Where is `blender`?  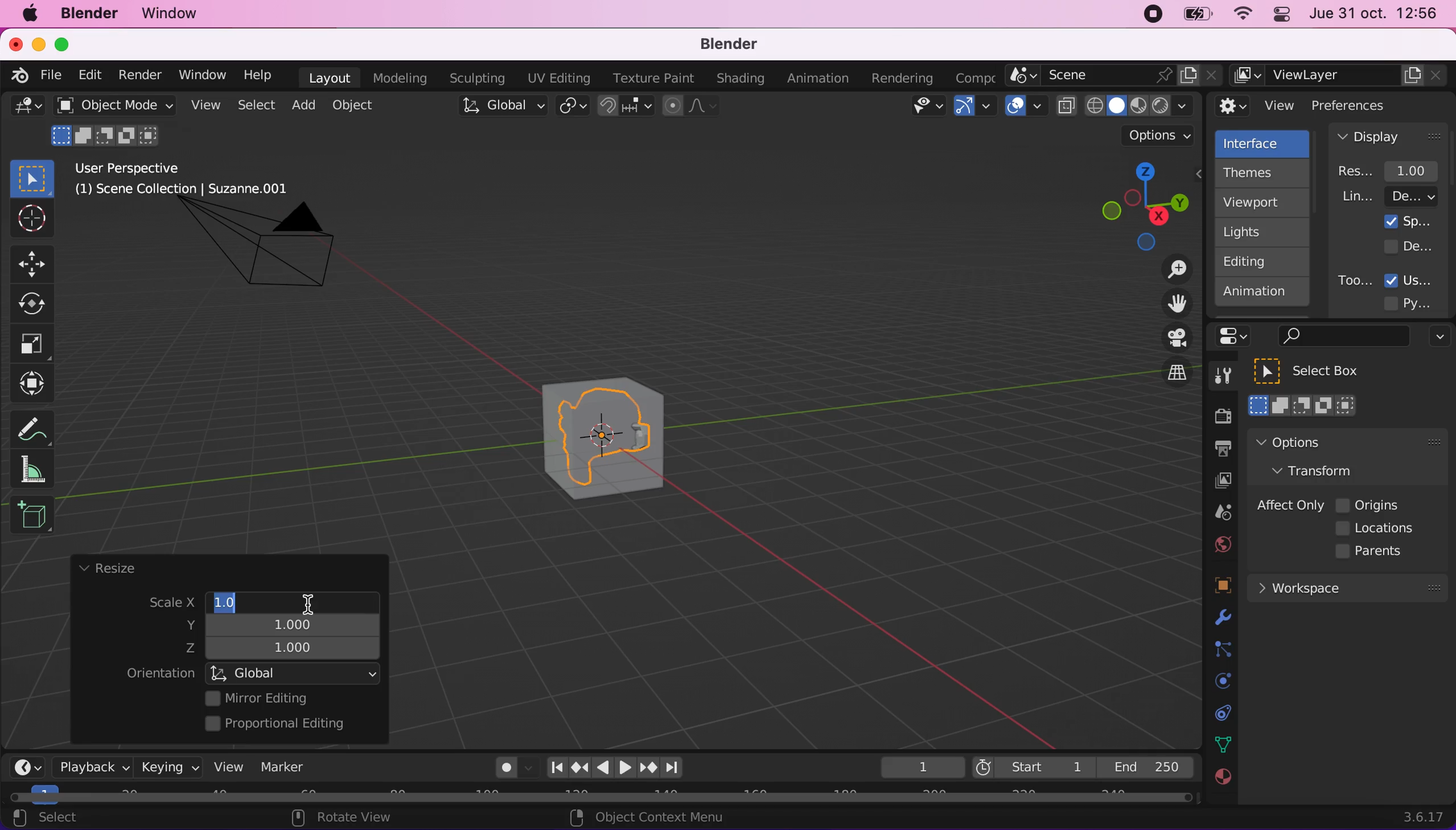 blender is located at coordinates (88, 14).